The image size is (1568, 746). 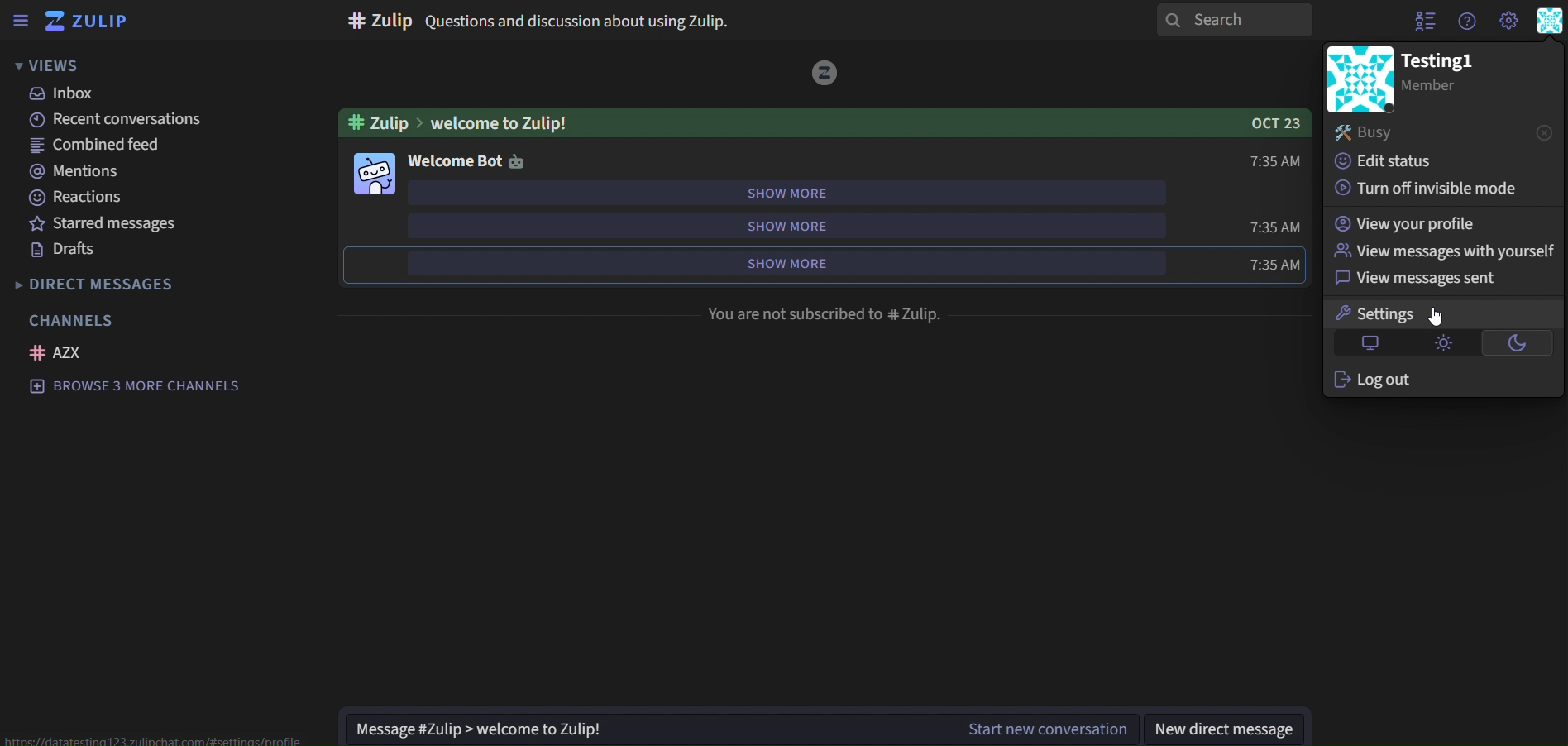 I want to click on welcome bot, so click(x=464, y=160).